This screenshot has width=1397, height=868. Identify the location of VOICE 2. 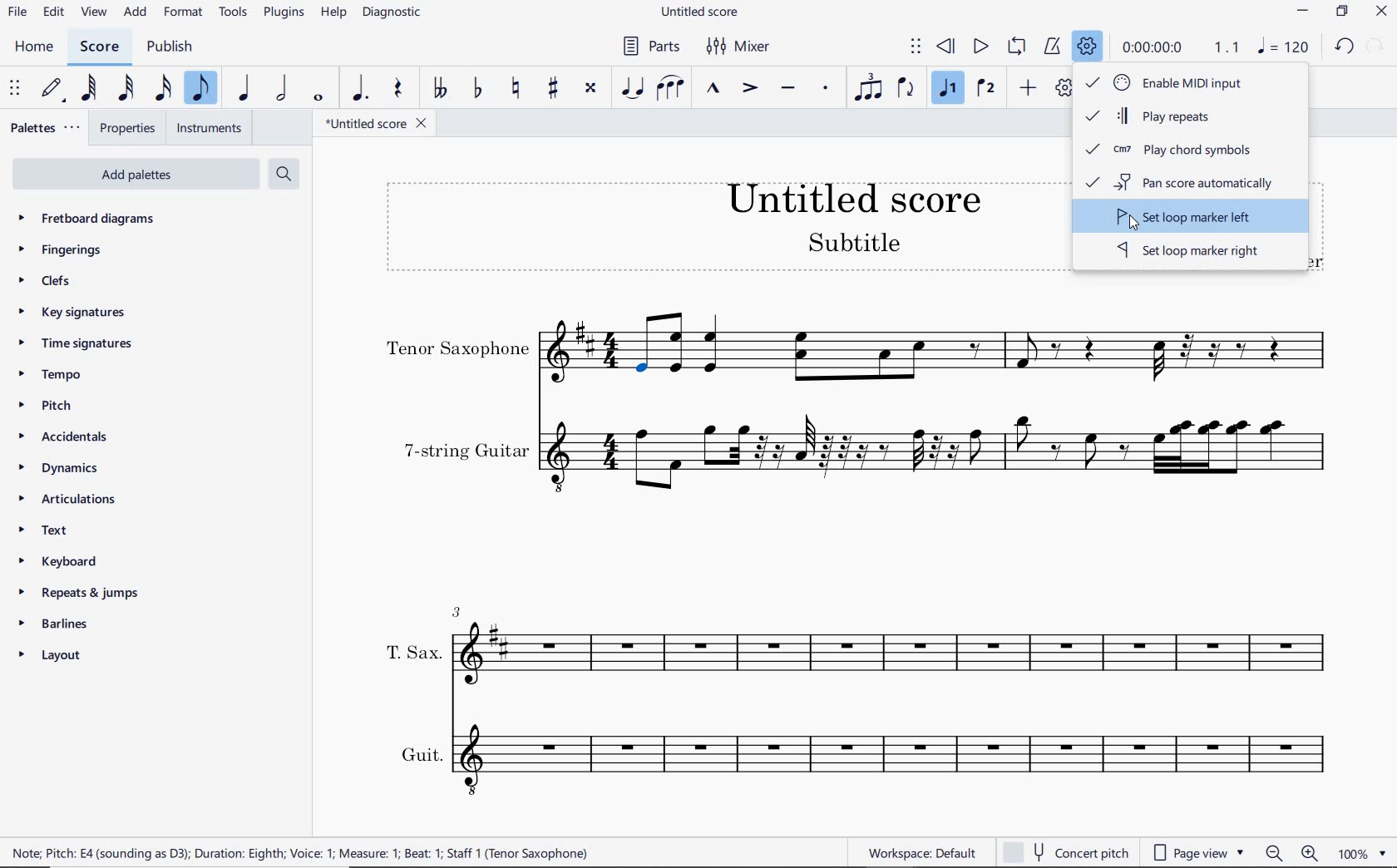
(988, 89).